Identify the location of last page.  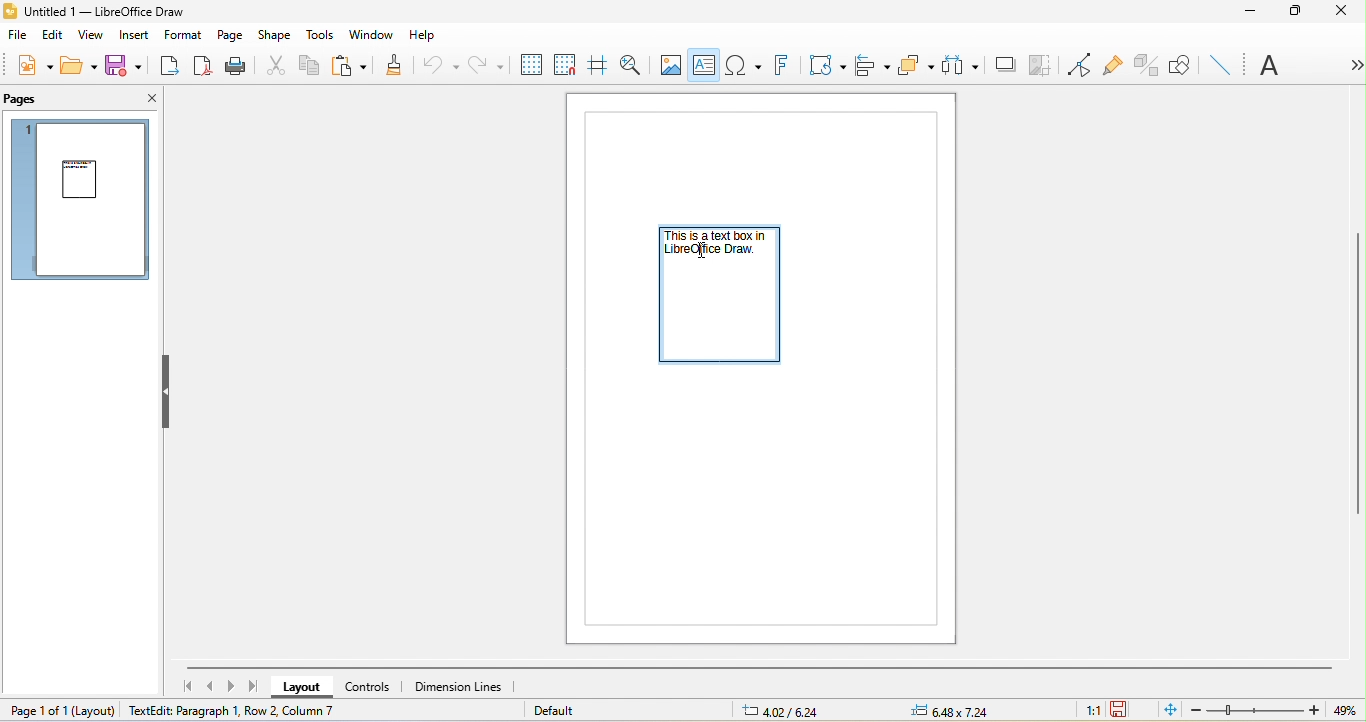
(253, 686).